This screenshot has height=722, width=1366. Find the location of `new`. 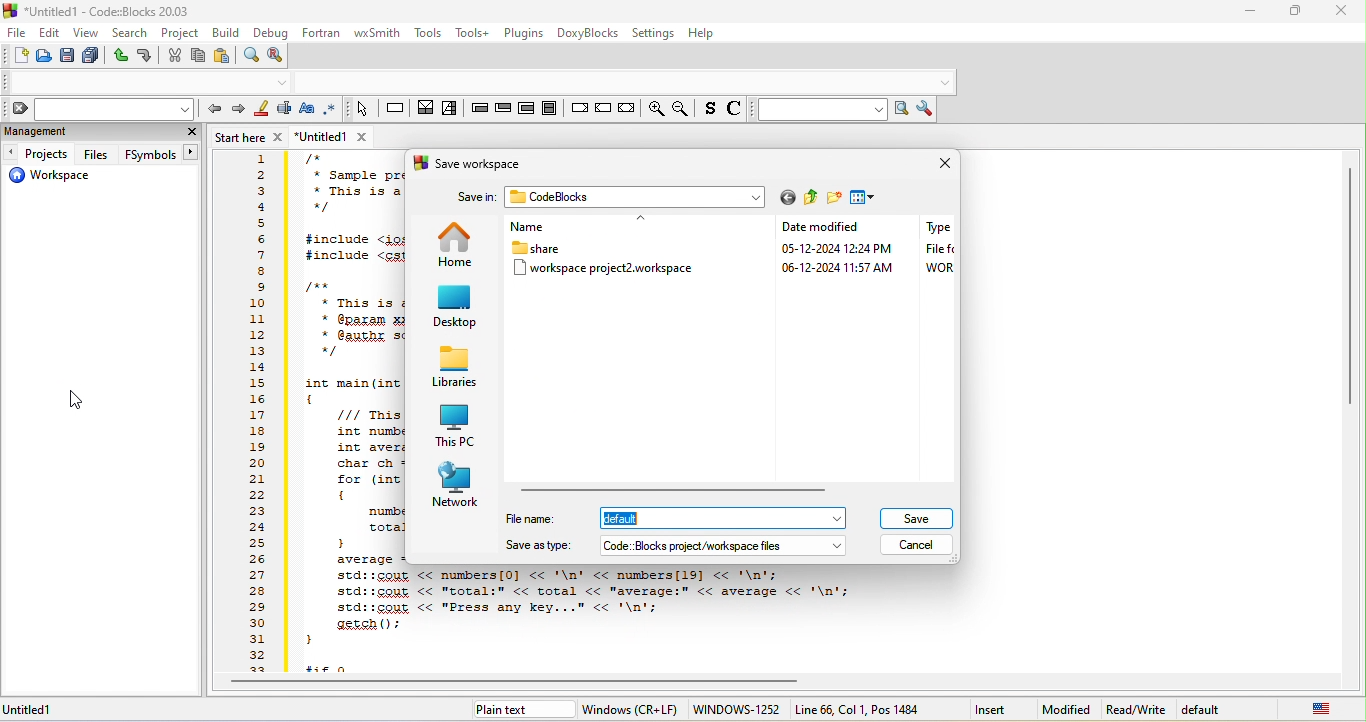

new is located at coordinates (18, 55).